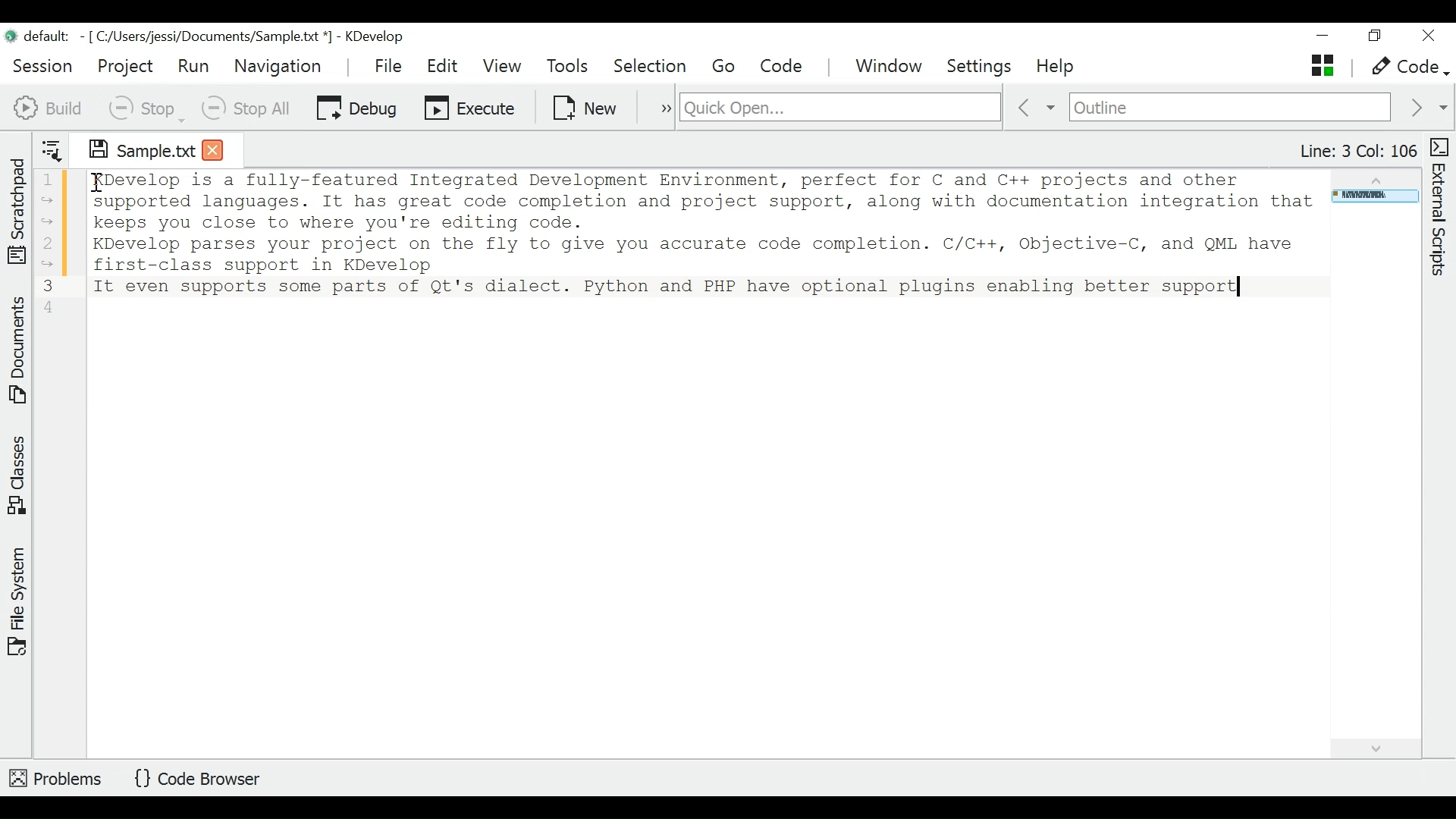  I want to click on more options, so click(658, 106).